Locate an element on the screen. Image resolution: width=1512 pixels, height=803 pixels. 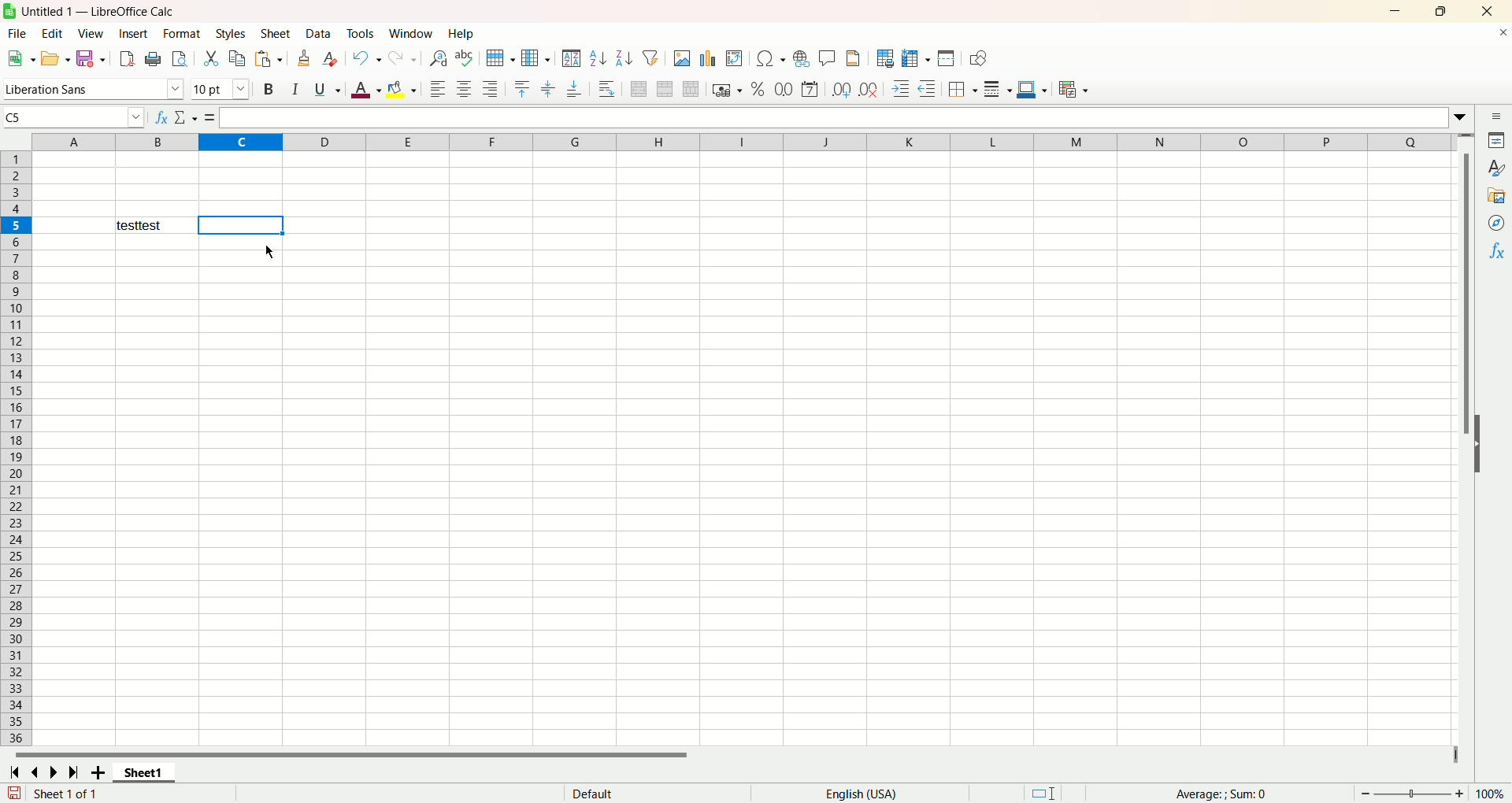
vertical scroll bar is located at coordinates (1462, 439).